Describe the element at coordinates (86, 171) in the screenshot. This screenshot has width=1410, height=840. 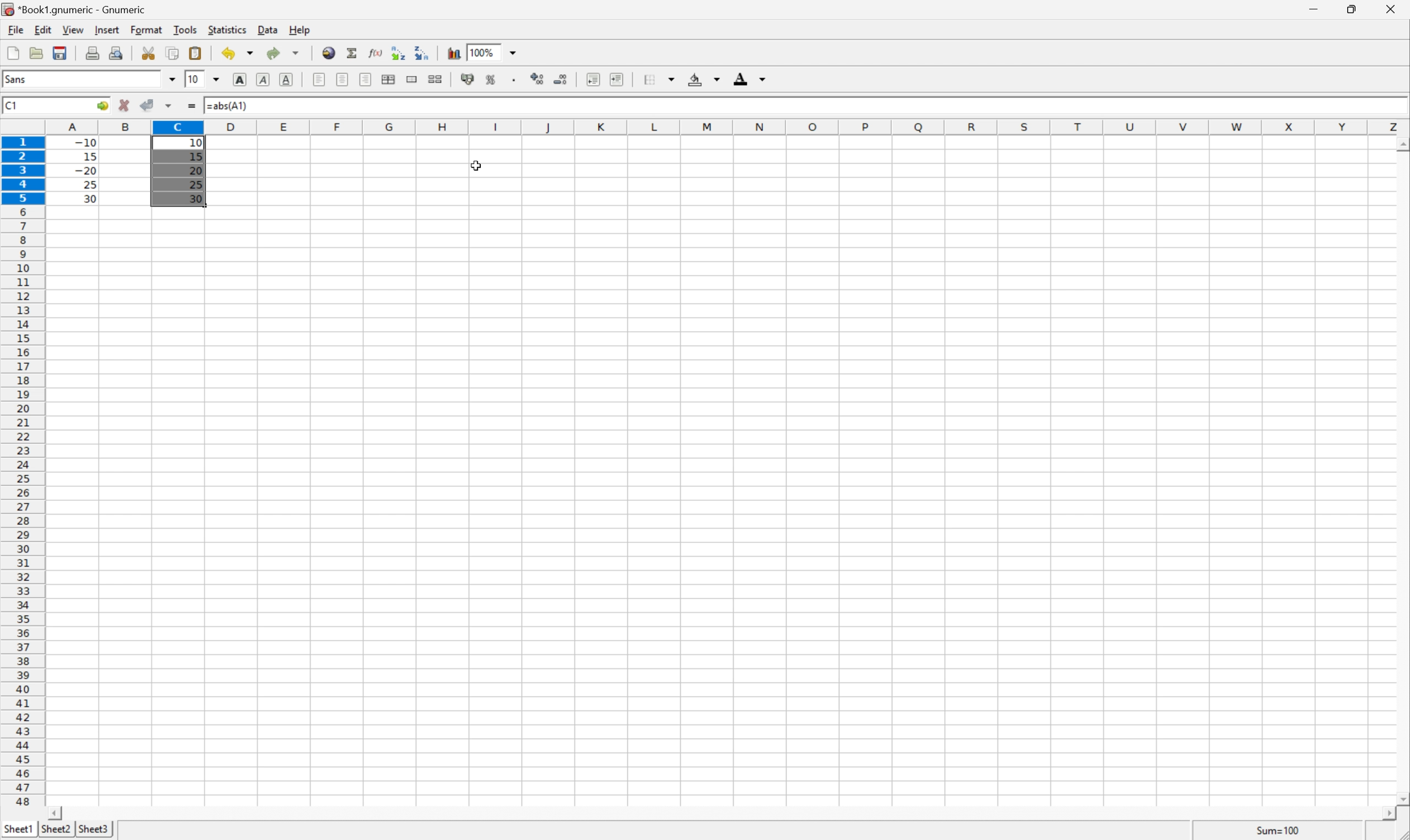
I see `-20` at that location.